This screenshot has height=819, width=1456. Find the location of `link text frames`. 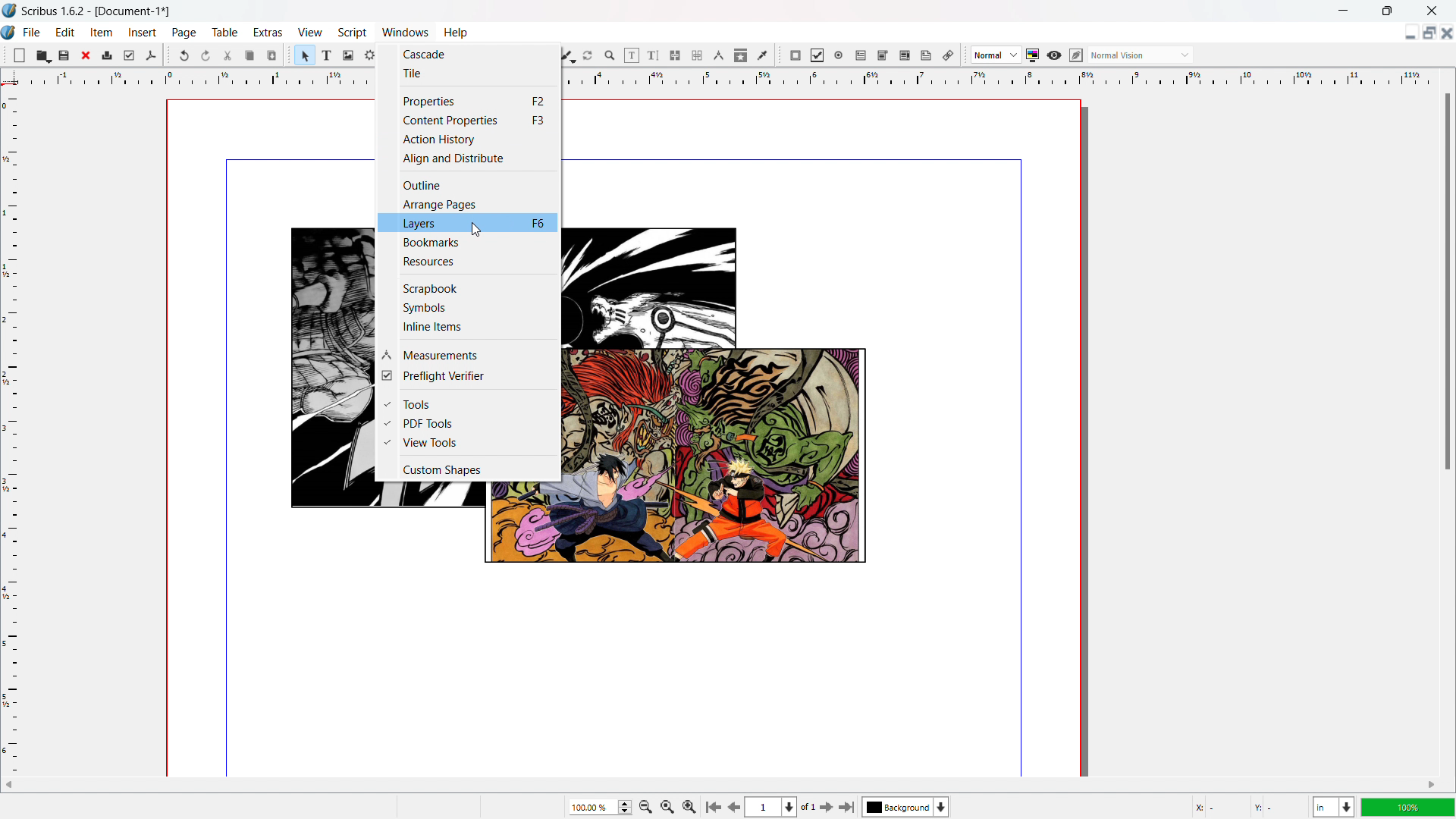

link text frames is located at coordinates (675, 55).